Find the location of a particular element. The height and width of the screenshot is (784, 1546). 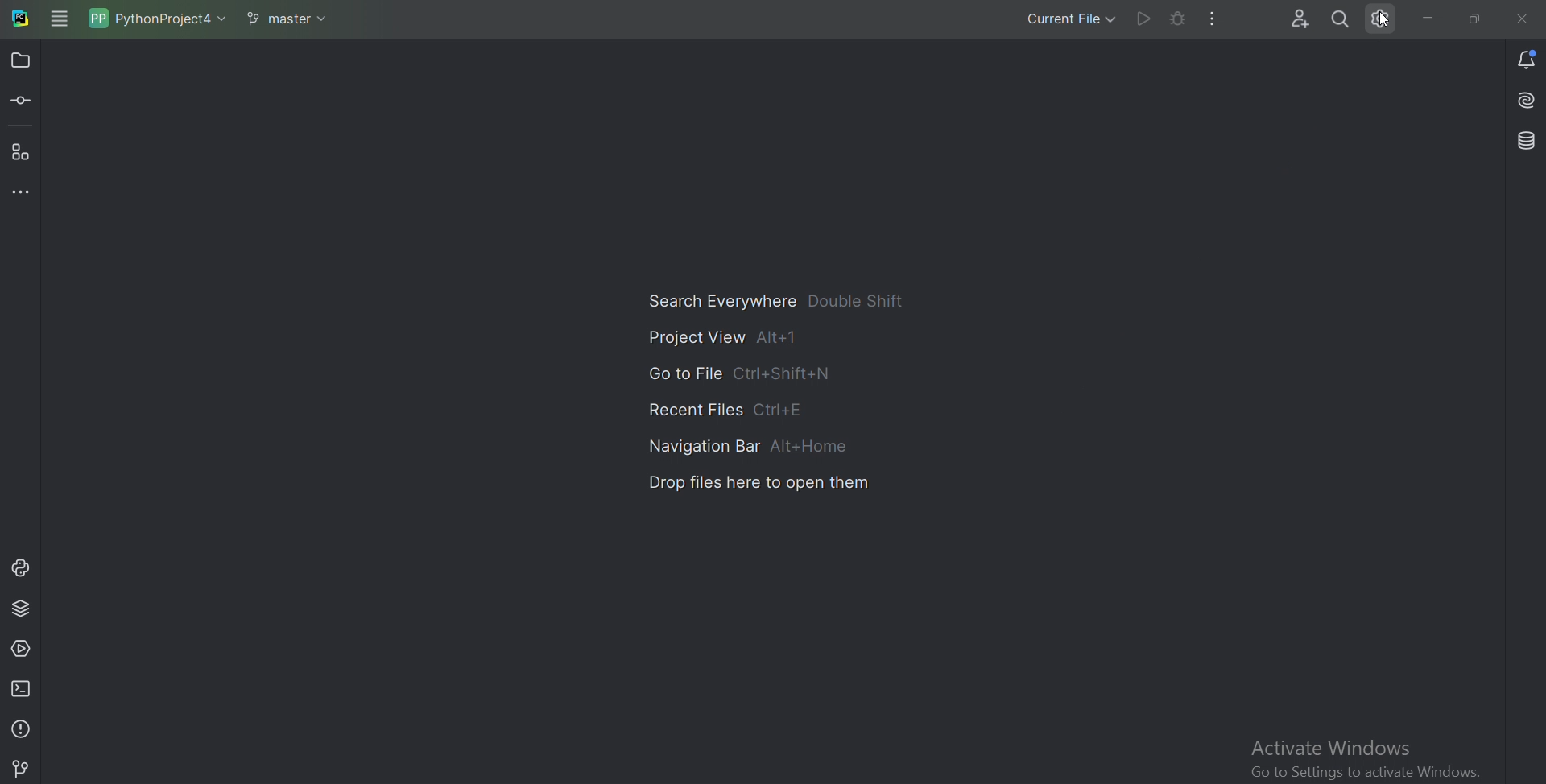

Go to file ctrl+shift+n is located at coordinates (733, 369).